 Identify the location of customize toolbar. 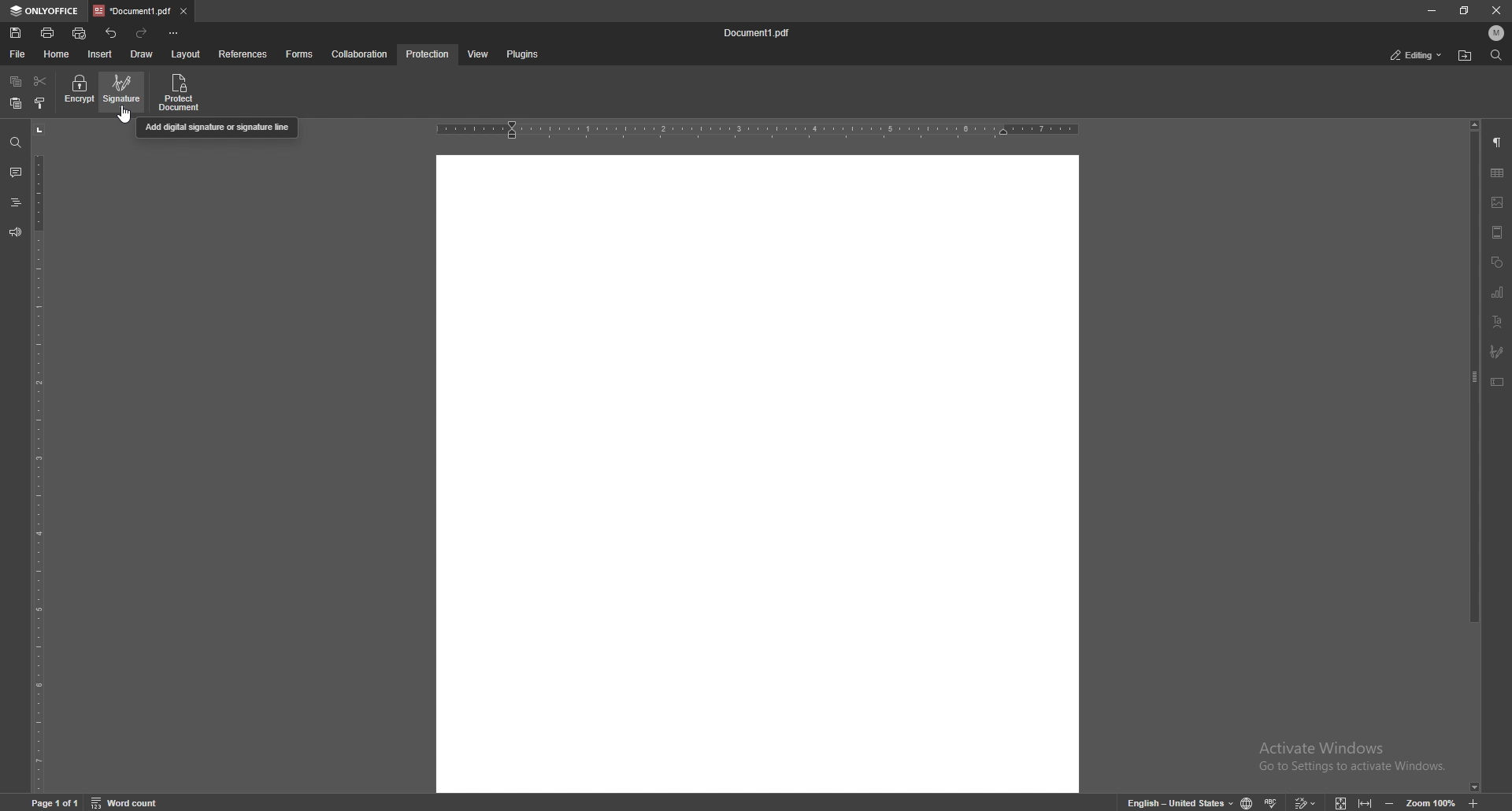
(173, 32).